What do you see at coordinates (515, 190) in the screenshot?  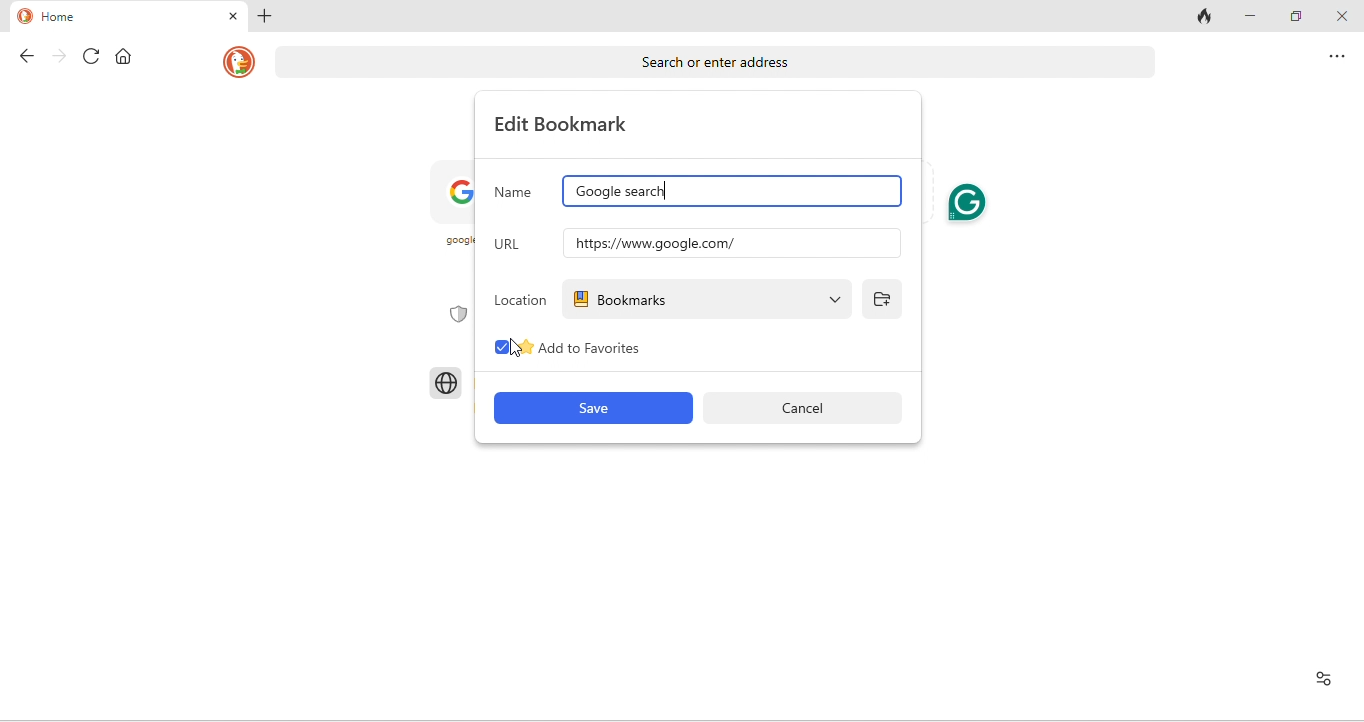 I see `name` at bounding box center [515, 190].